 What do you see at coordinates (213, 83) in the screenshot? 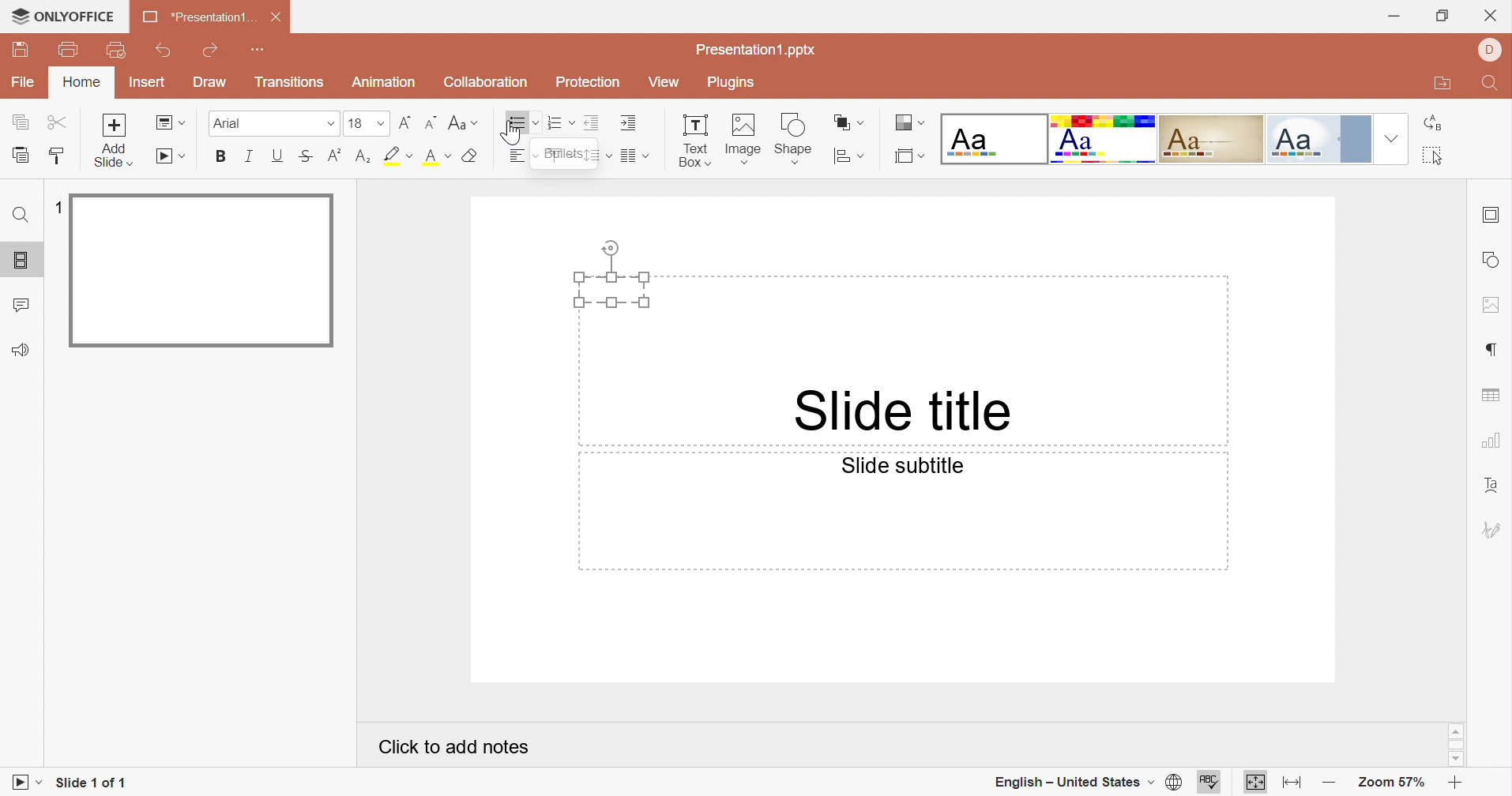
I see `Draw` at bounding box center [213, 83].